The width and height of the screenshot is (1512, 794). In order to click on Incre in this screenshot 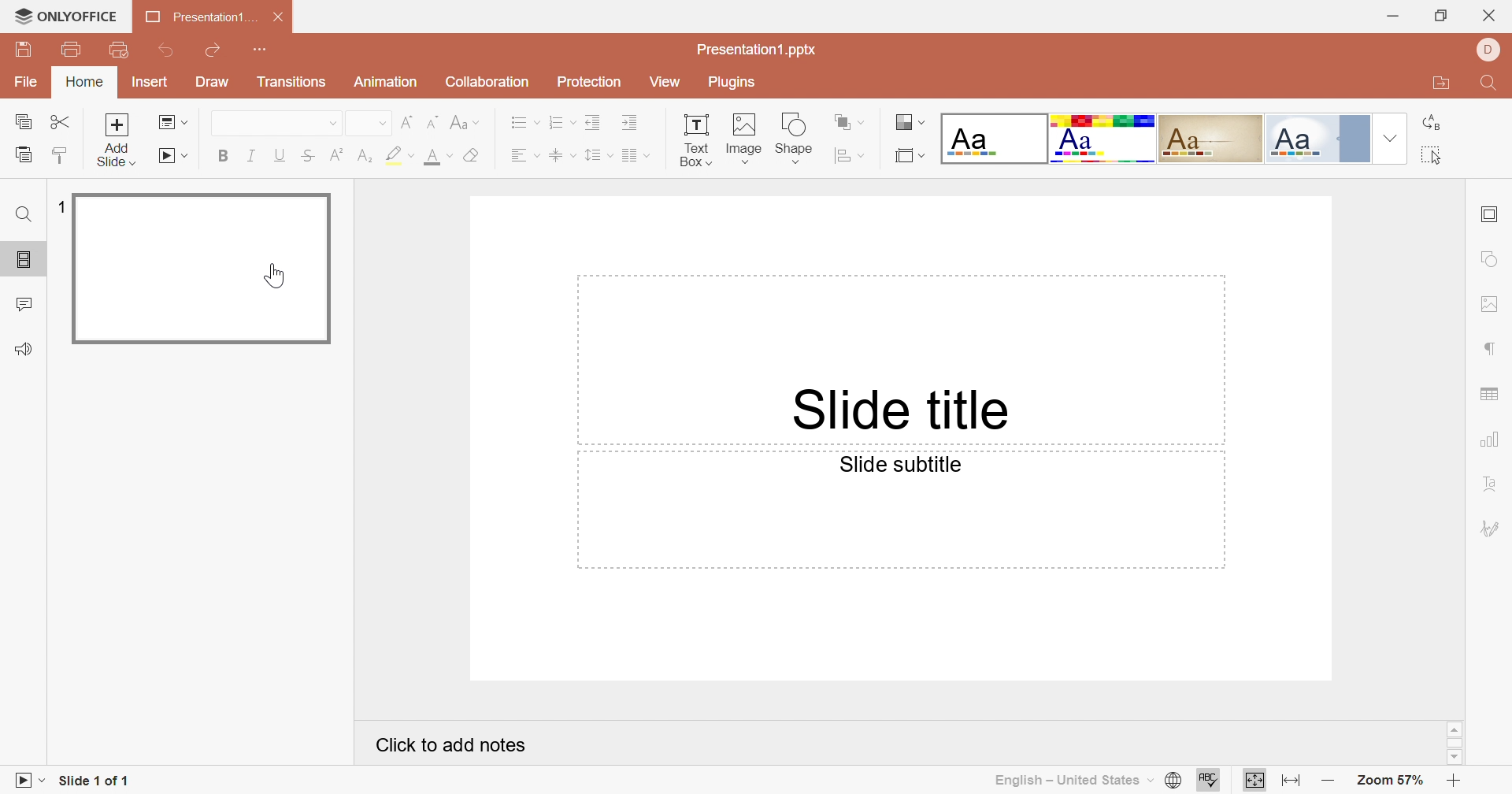, I will do `click(632, 121)`.